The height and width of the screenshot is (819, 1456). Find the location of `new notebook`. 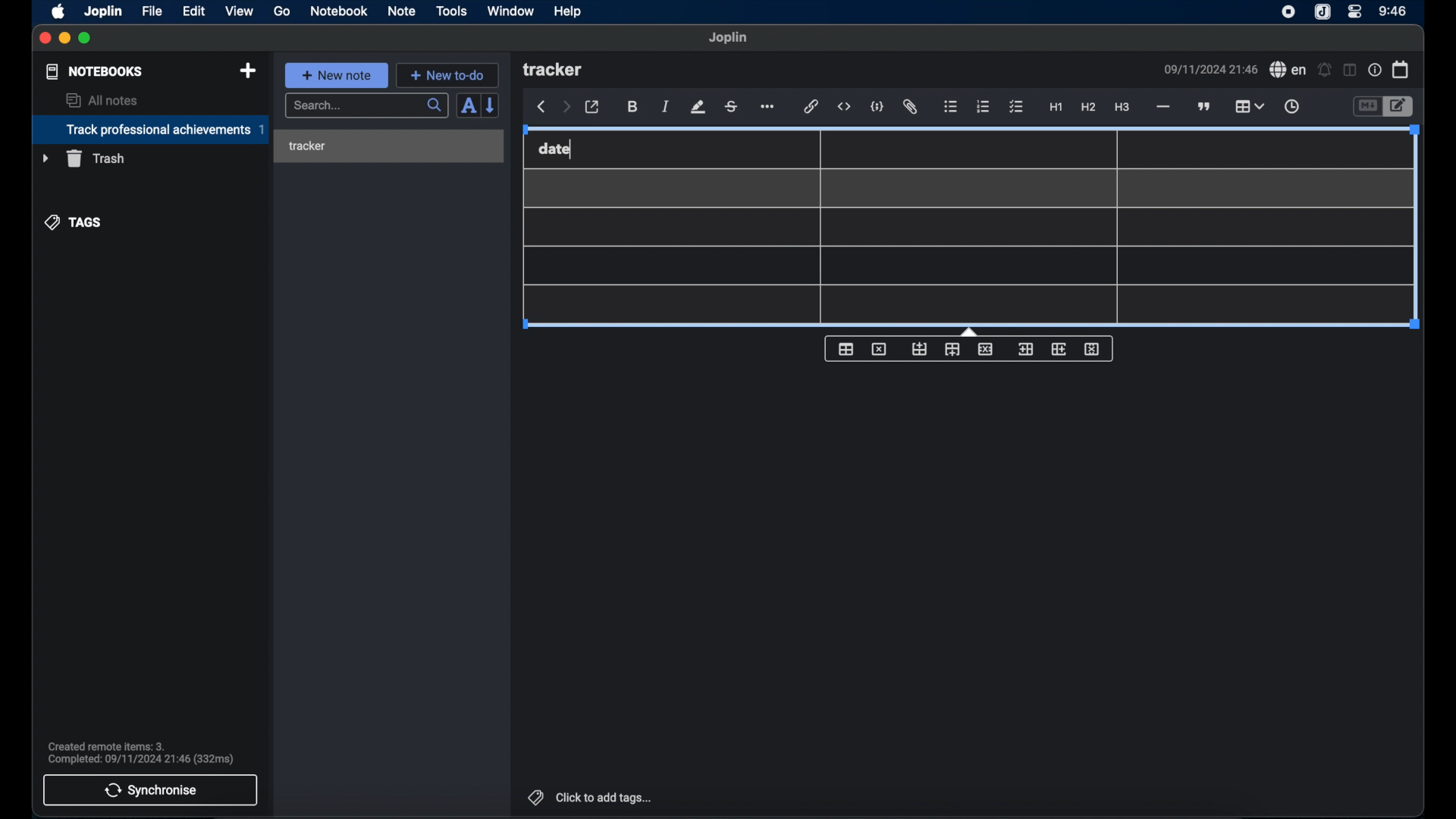

new notebook is located at coordinates (248, 71).